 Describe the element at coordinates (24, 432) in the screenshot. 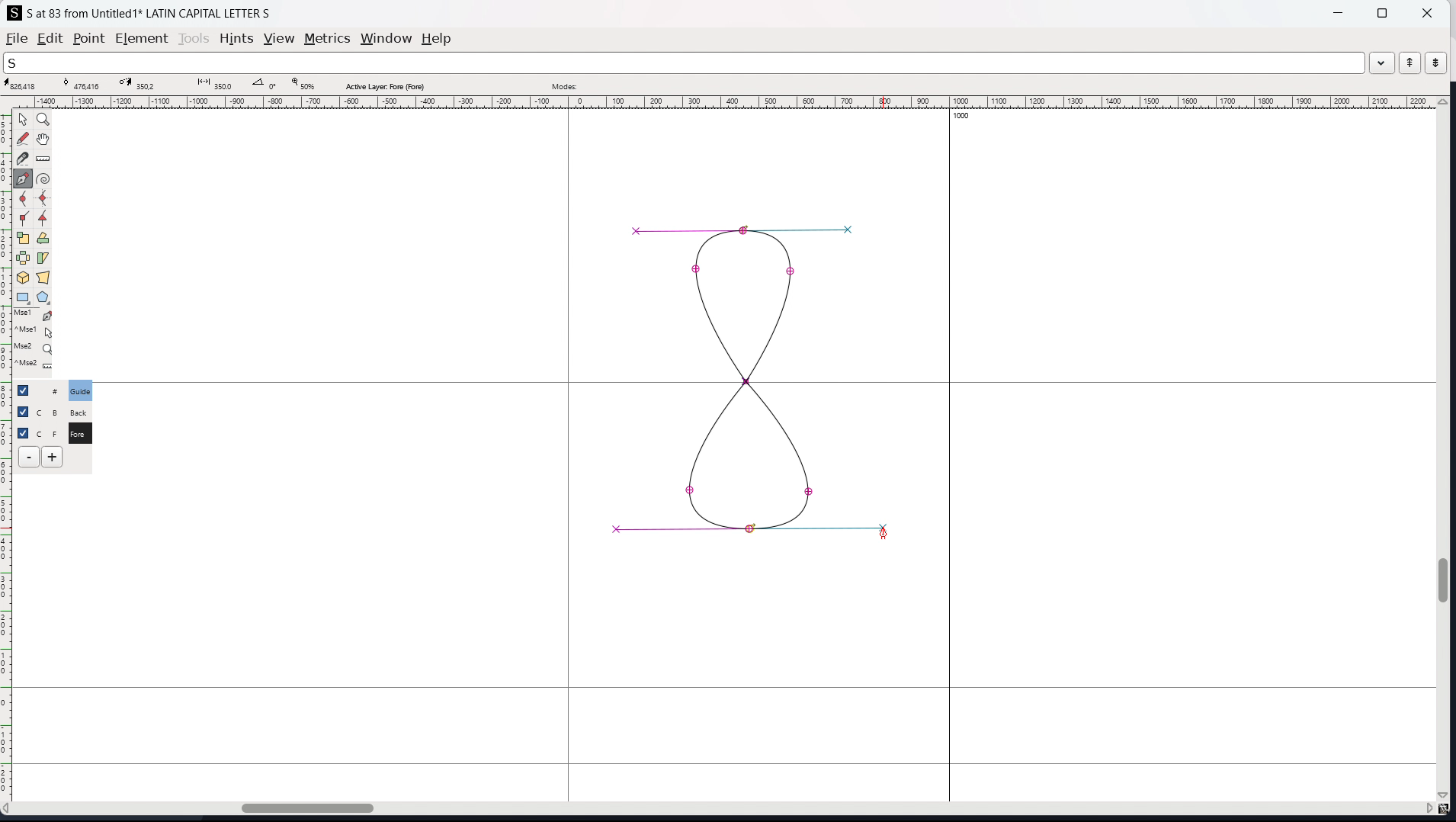

I see `selection toggle` at that location.